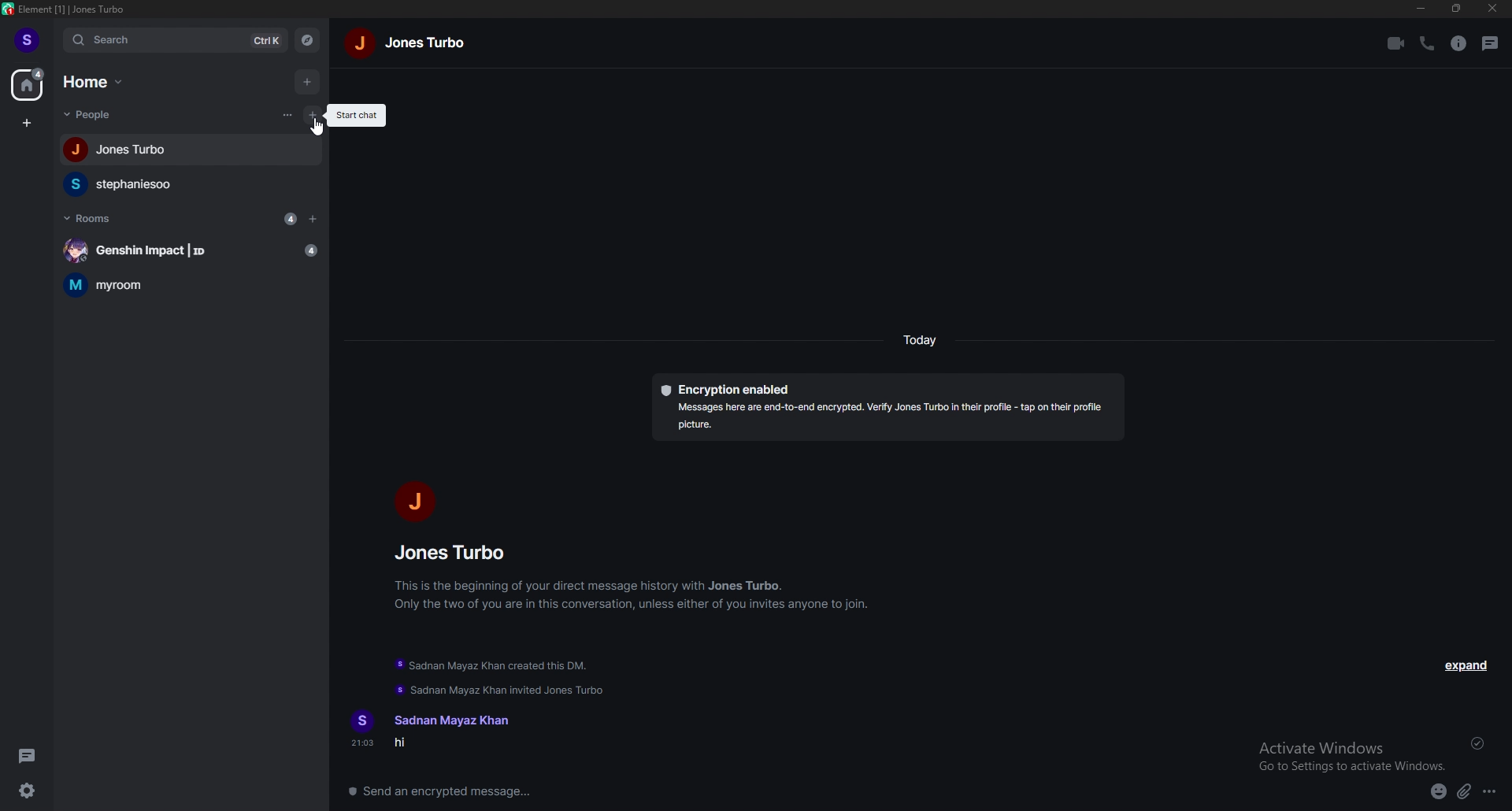  Describe the element at coordinates (135, 185) in the screenshot. I see `stephaniesoo` at that location.